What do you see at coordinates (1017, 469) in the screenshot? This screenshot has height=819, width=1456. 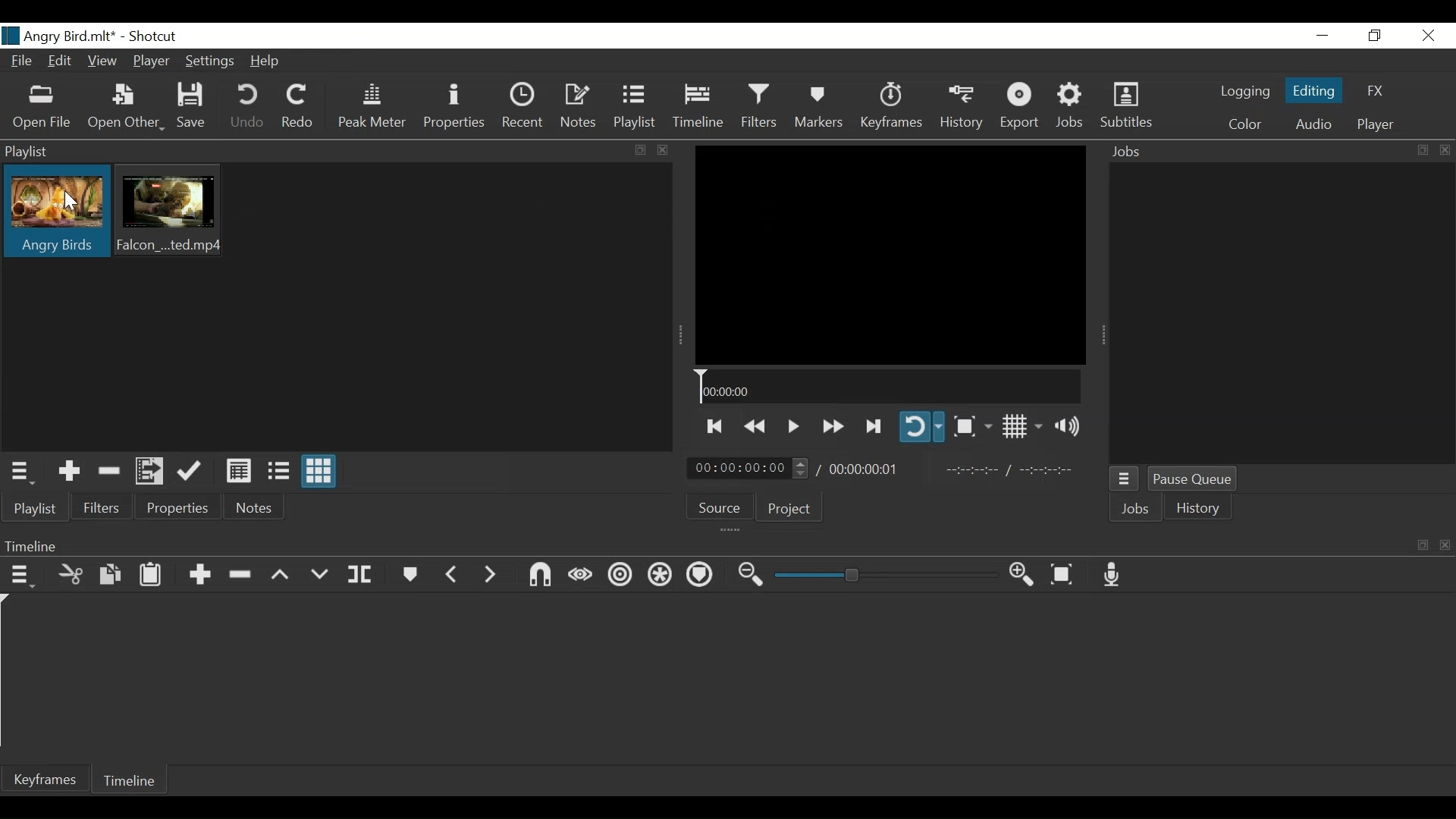 I see `In point` at bounding box center [1017, 469].